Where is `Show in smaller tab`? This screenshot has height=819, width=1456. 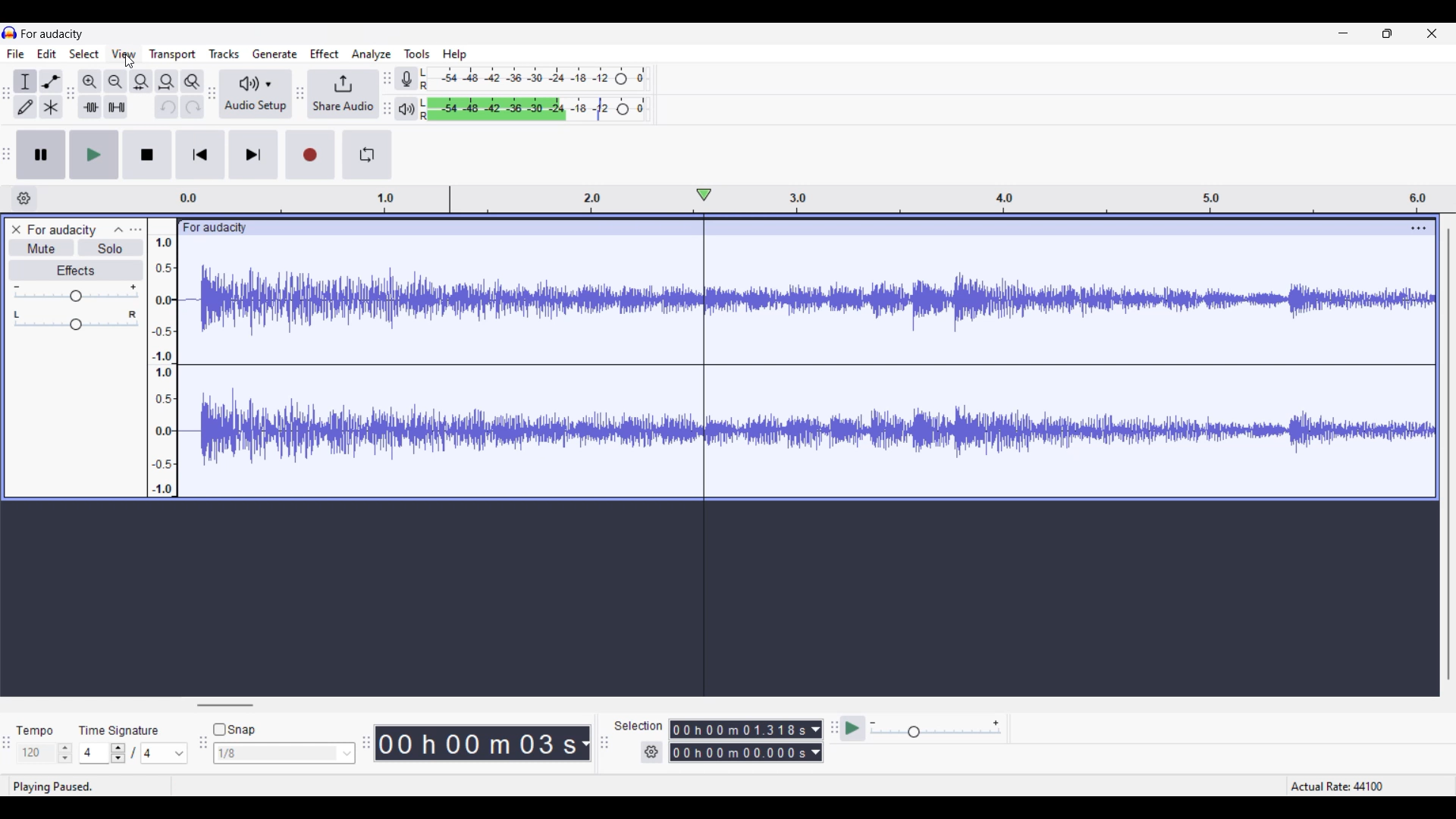
Show in smaller tab is located at coordinates (1387, 33).